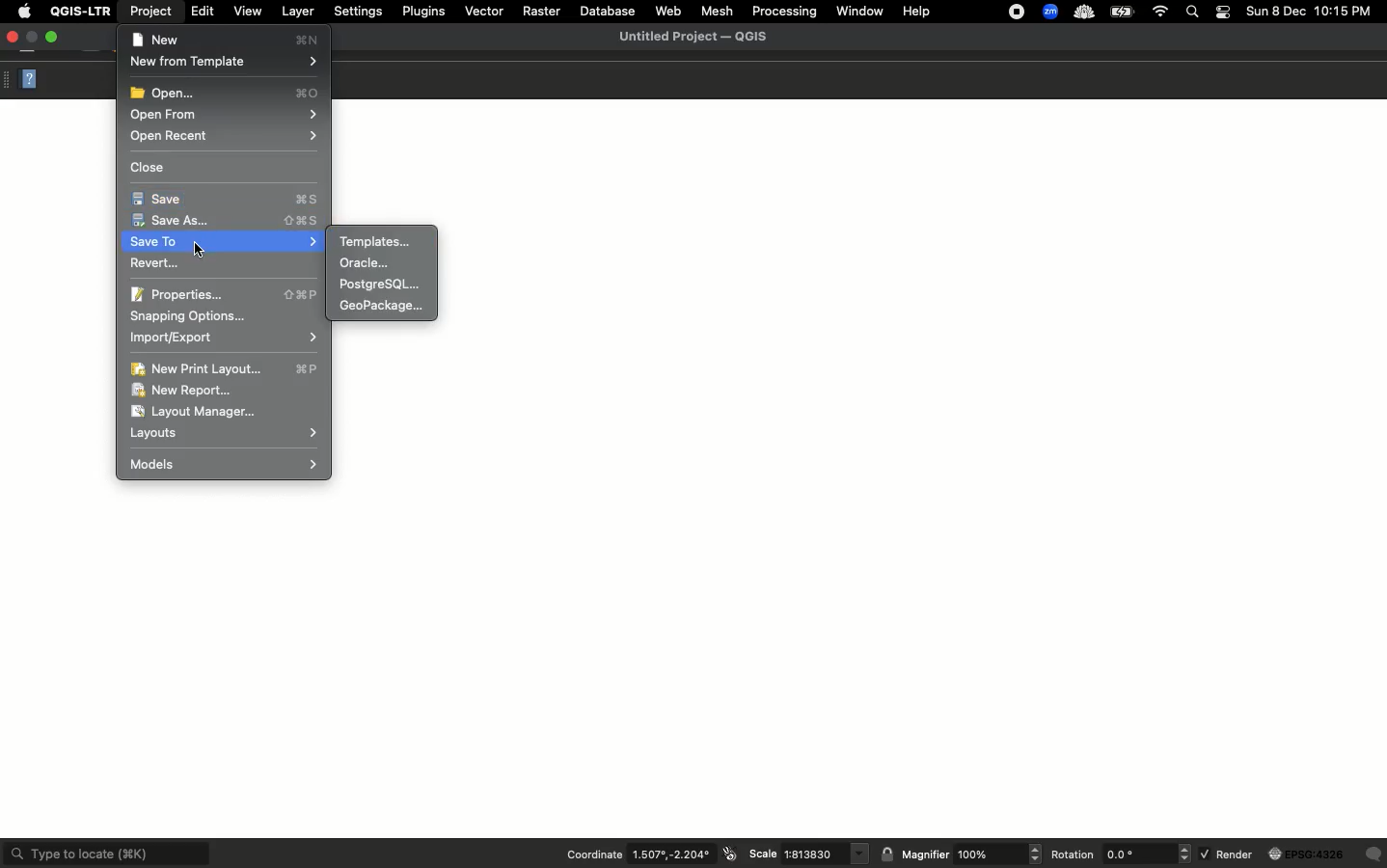  What do you see at coordinates (1228, 854) in the screenshot?
I see `Render` at bounding box center [1228, 854].